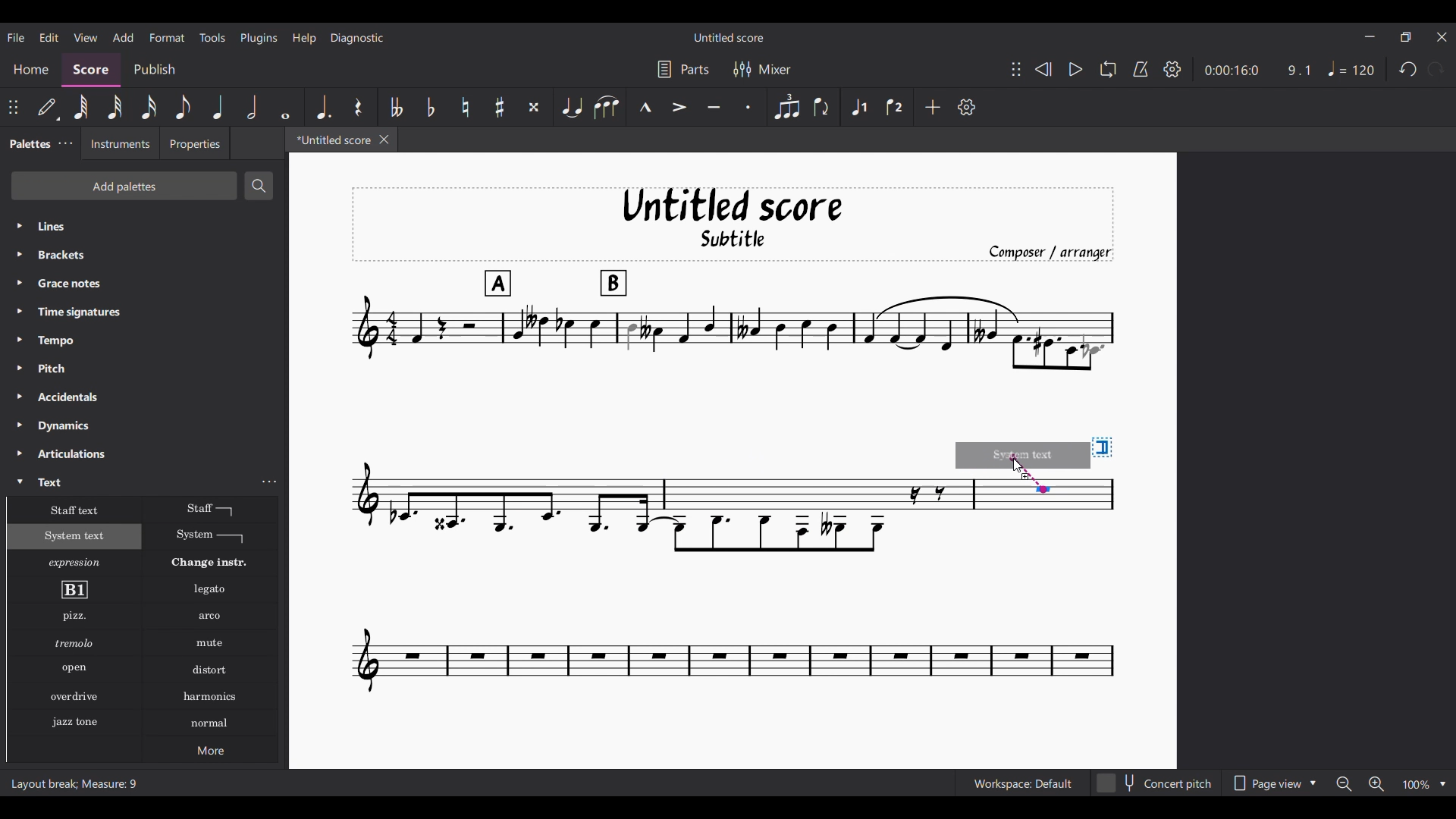  I want to click on Jazz stone, so click(74, 723).